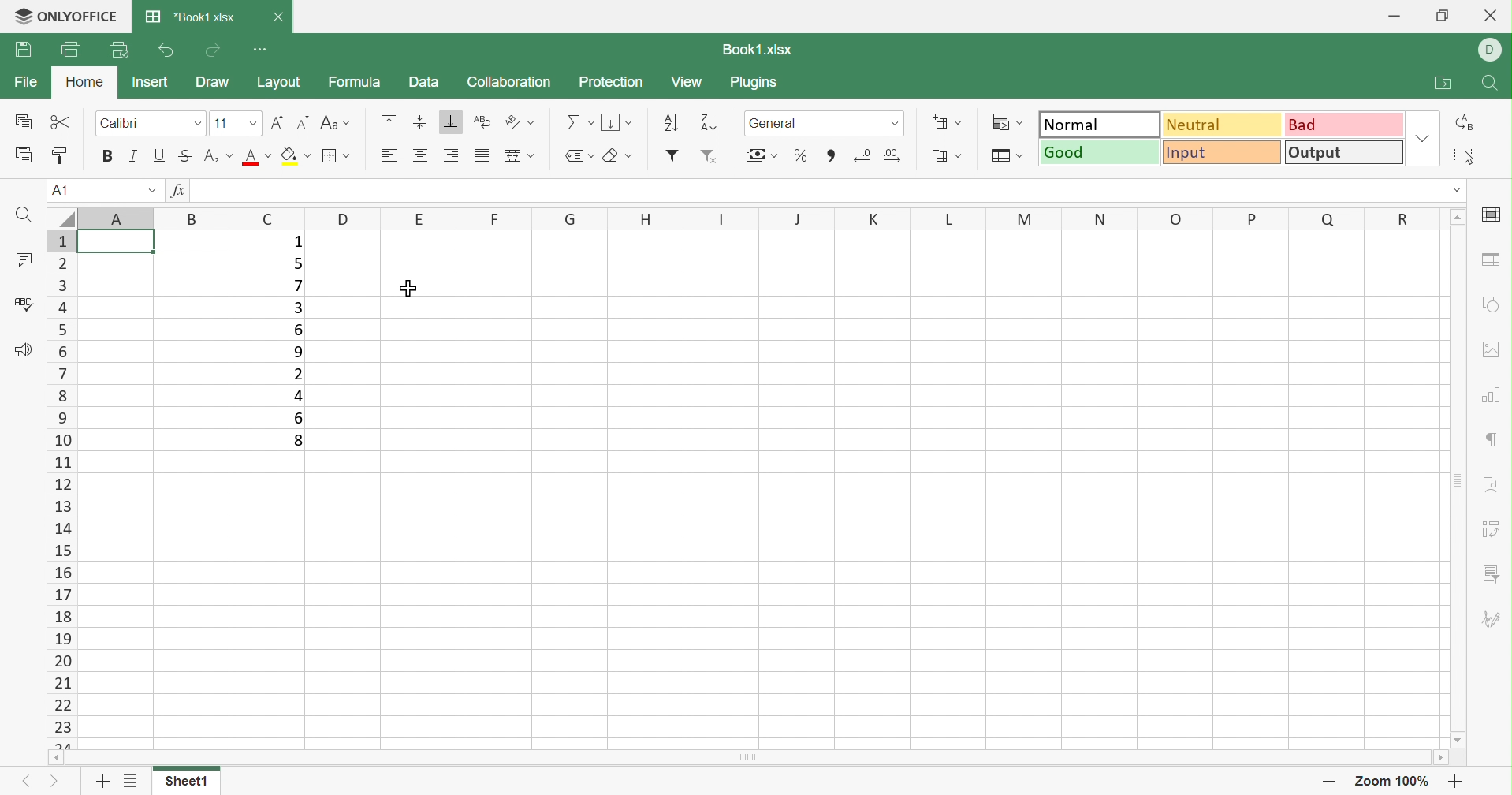 The image size is (1512, 795). Describe the element at coordinates (27, 80) in the screenshot. I see `File` at that location.